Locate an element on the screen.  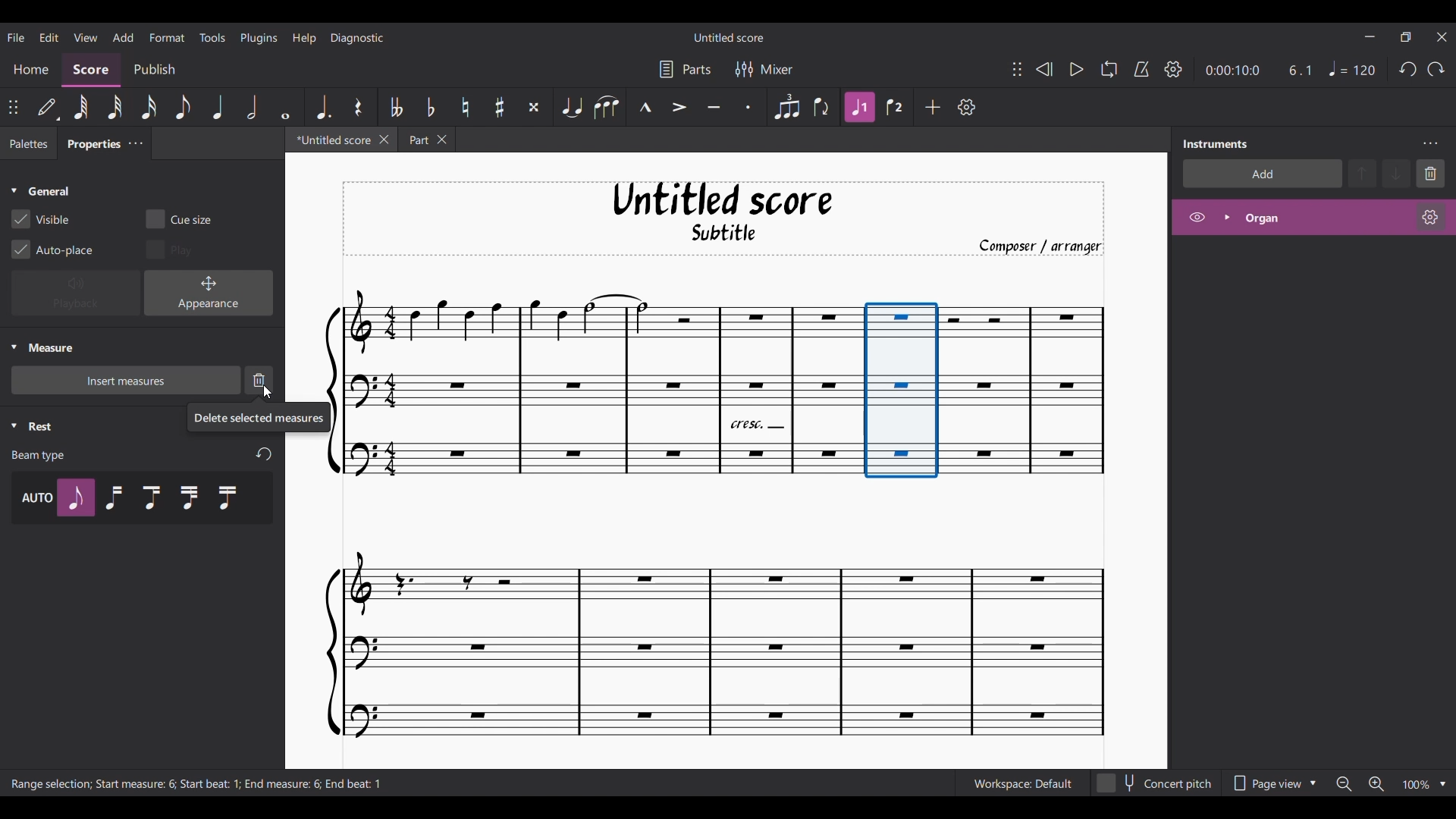
Change position of toolbar attached is located at coordinates (1017, 70).